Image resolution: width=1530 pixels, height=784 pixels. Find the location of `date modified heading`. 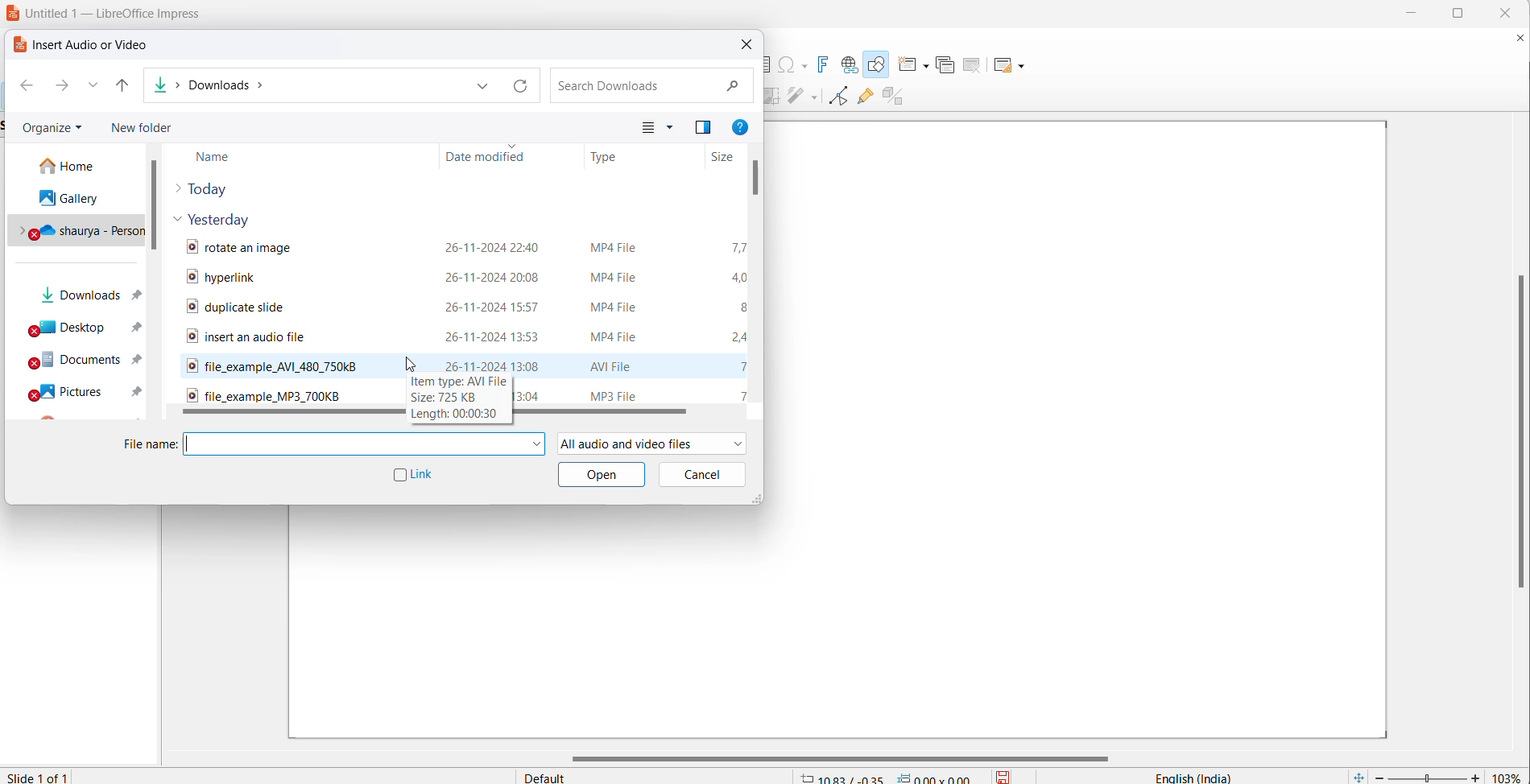

date modified heading is located at coordinates (486, 156).